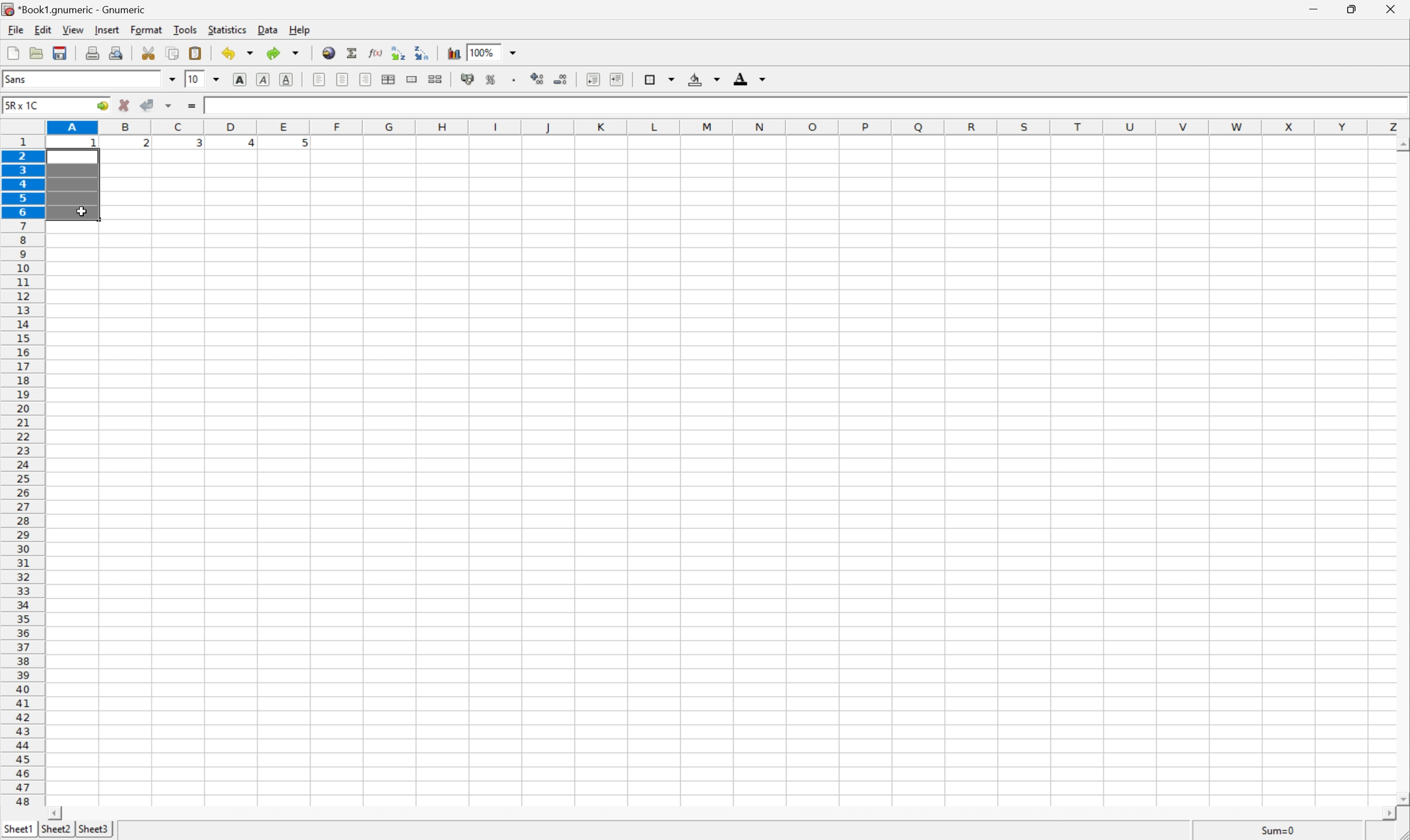 The width and height of the screenshot is (1410, 840). Describe the element at coordinates (344, 78) in the screenshot. I see `center horizontally` at that location.